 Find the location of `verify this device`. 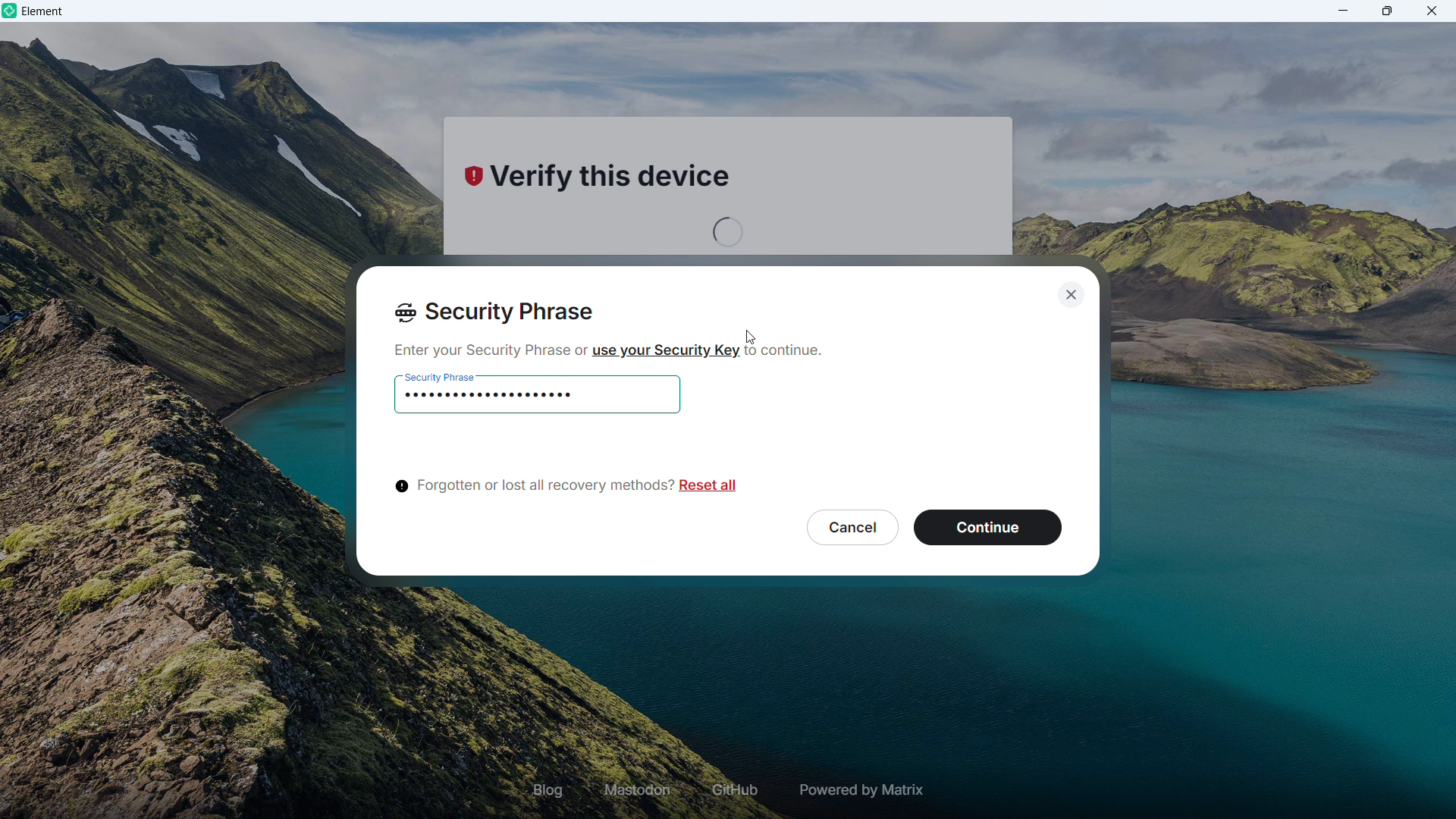

verify this device is located at coordinates (622, 183).